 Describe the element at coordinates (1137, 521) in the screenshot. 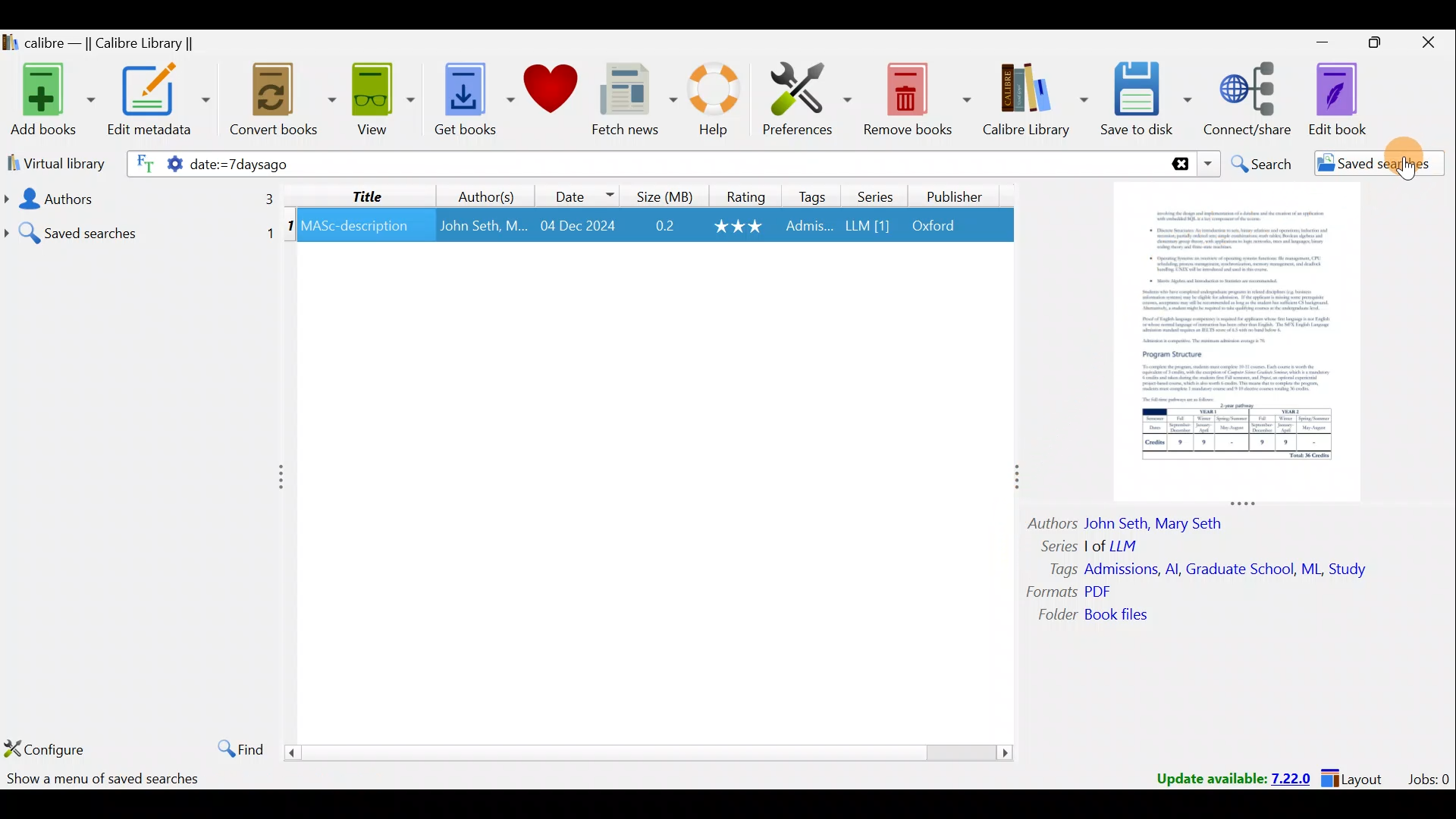

I see `Authors John Seth, Mary Seth` at that location.